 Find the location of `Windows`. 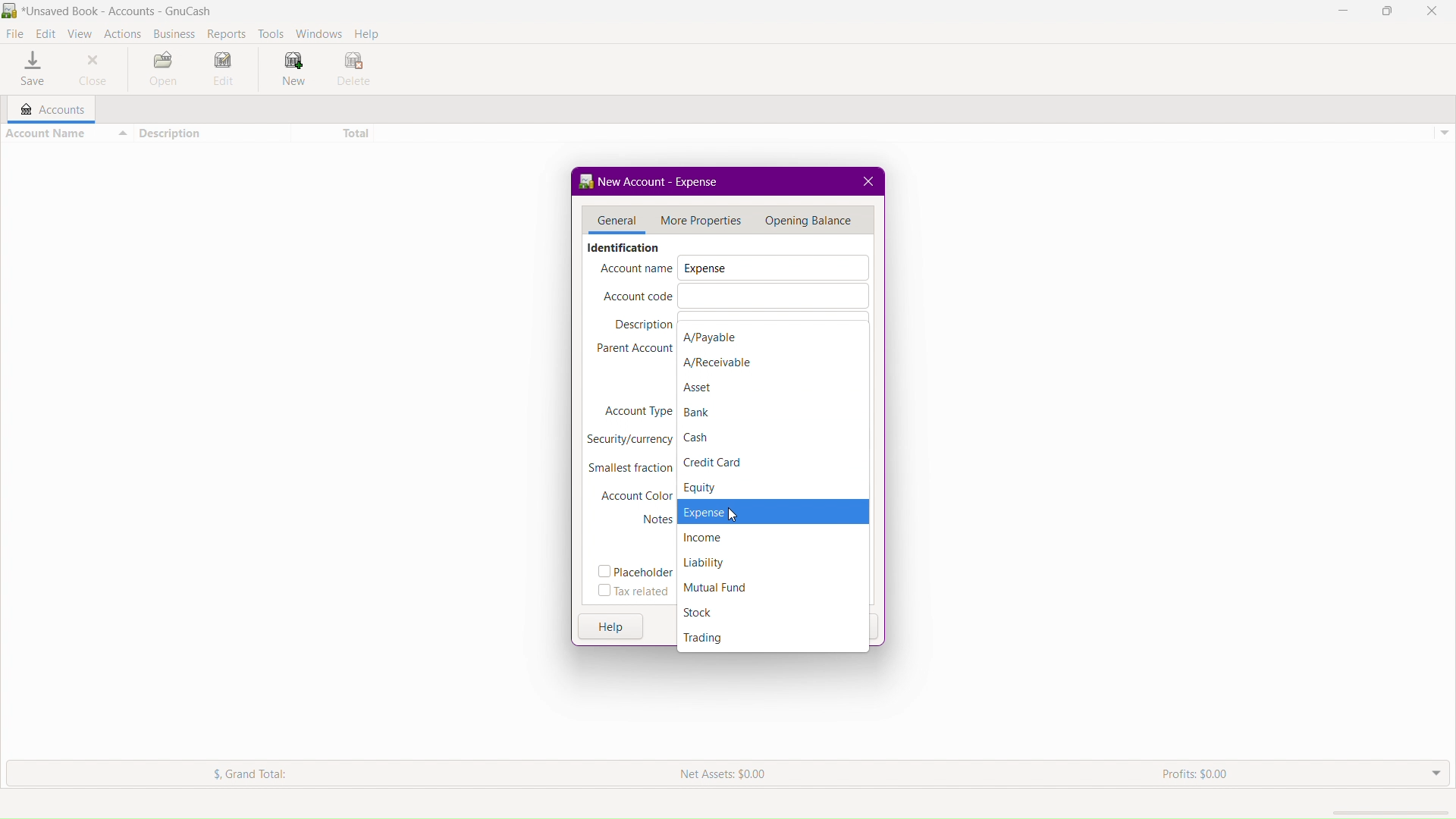

Windows is located at coordinates (319, 32).